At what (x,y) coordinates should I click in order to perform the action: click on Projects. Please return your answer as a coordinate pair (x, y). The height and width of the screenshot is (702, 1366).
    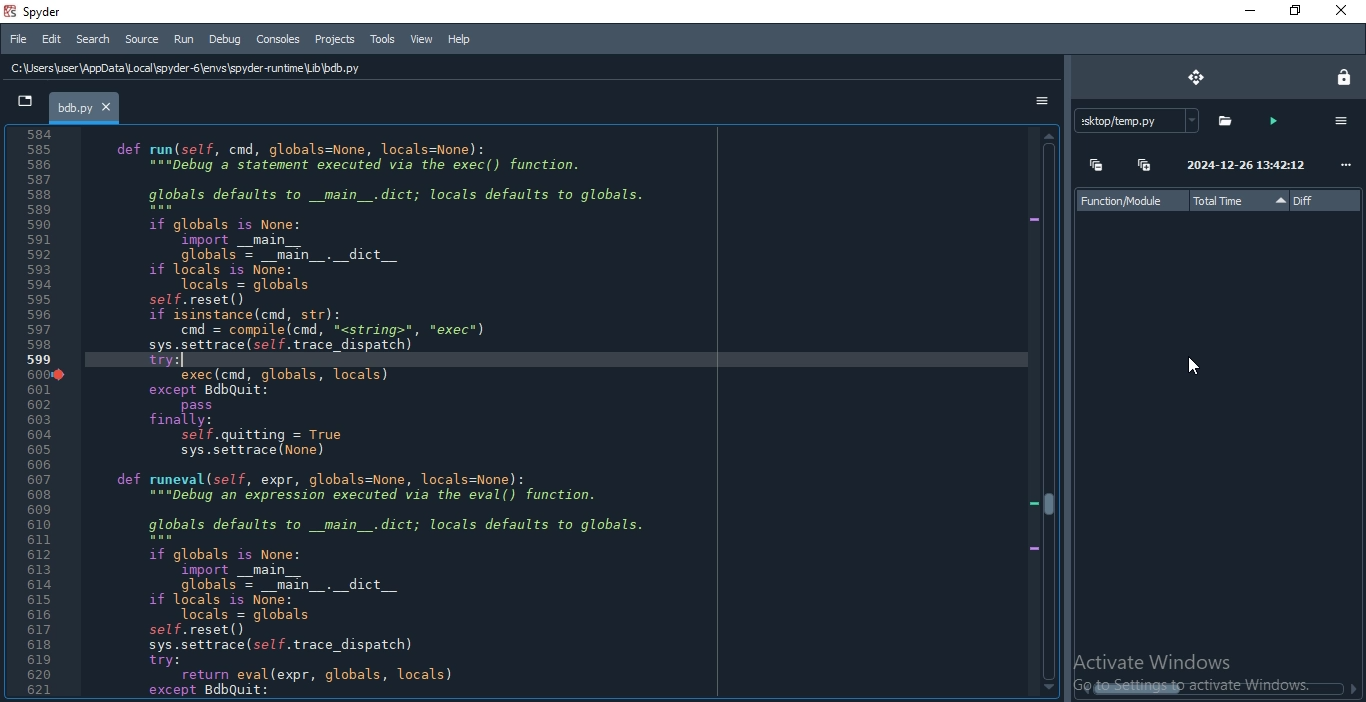
    Looking at the image, I should click on (335, 39).